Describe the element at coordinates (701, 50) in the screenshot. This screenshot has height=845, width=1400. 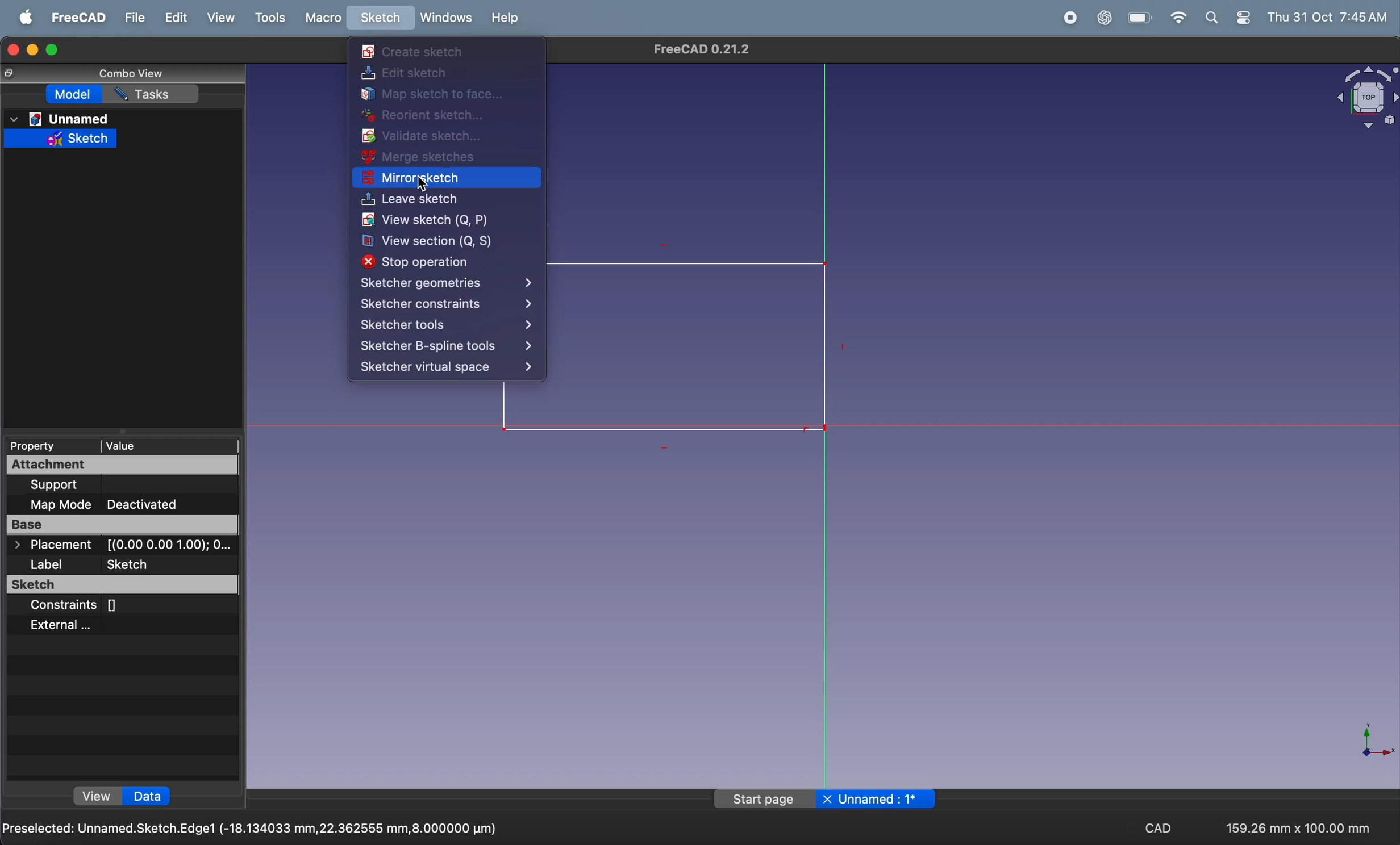
I see `freecad title` at that location.